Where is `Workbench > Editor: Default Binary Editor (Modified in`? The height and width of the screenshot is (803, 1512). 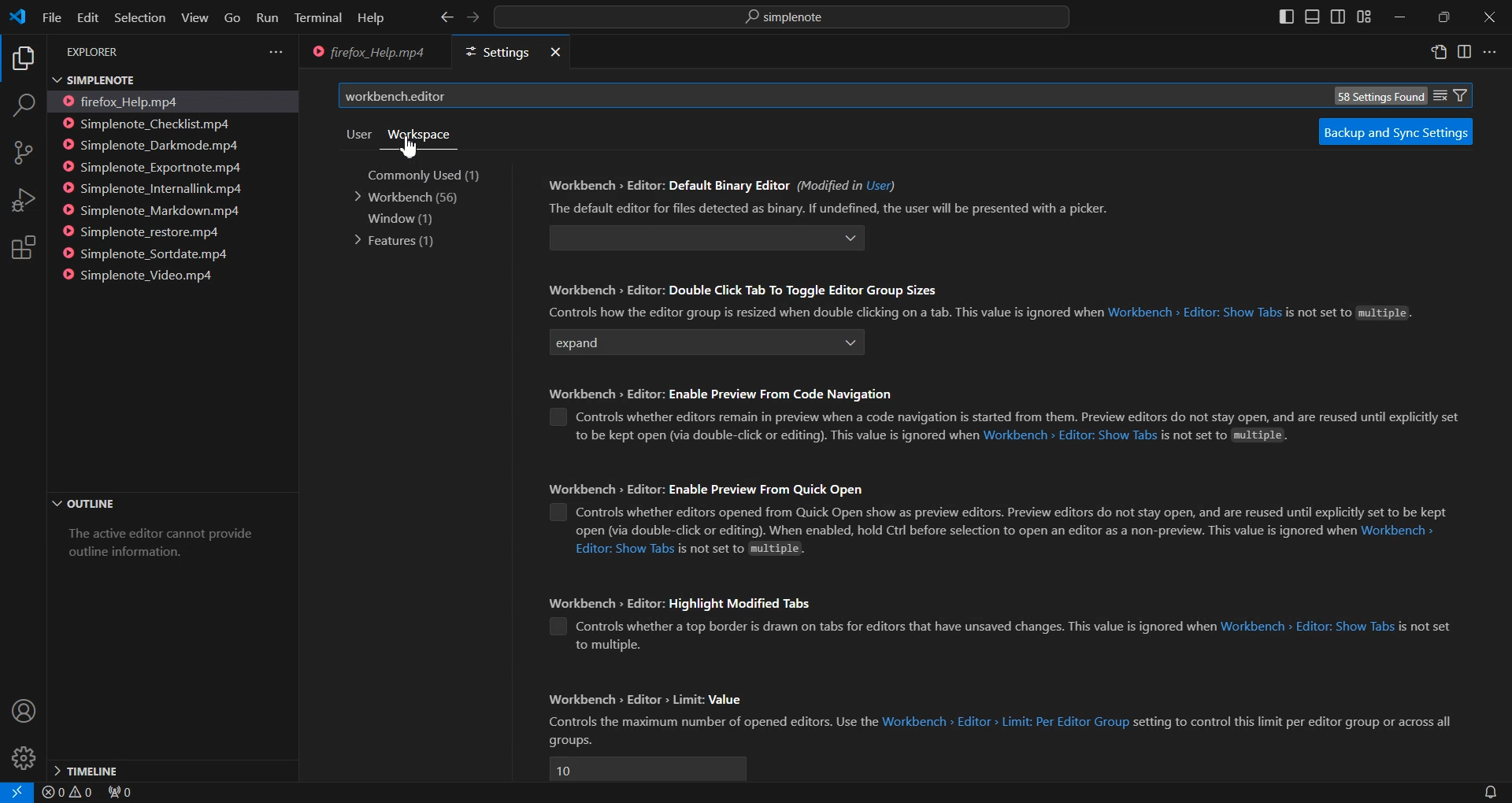
Workbench > Editor: Default Binary Editor (Modified in is located at coordinates (702, 184).